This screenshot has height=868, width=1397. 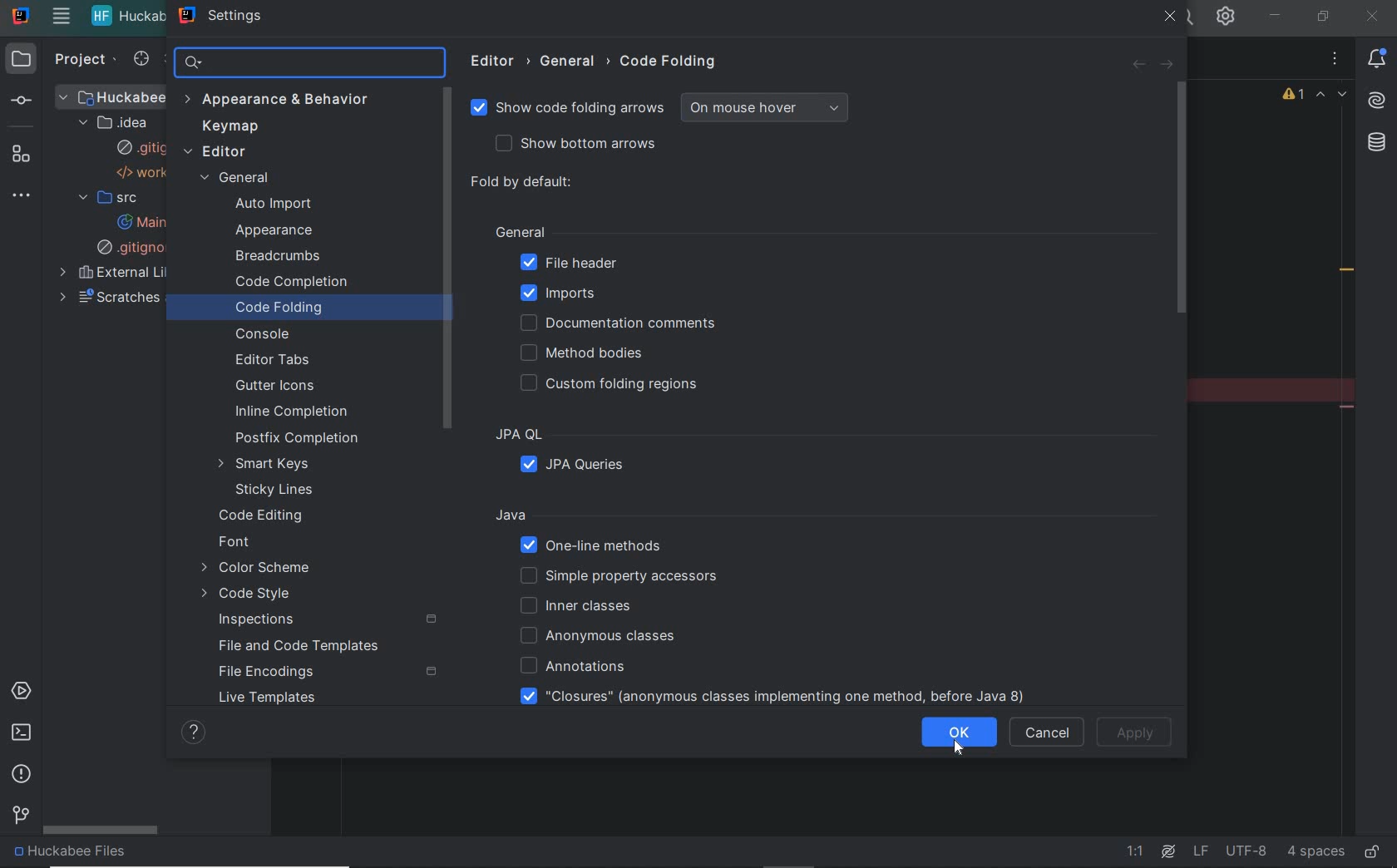 I want to click on minimize, so click(x=1276, y=12).